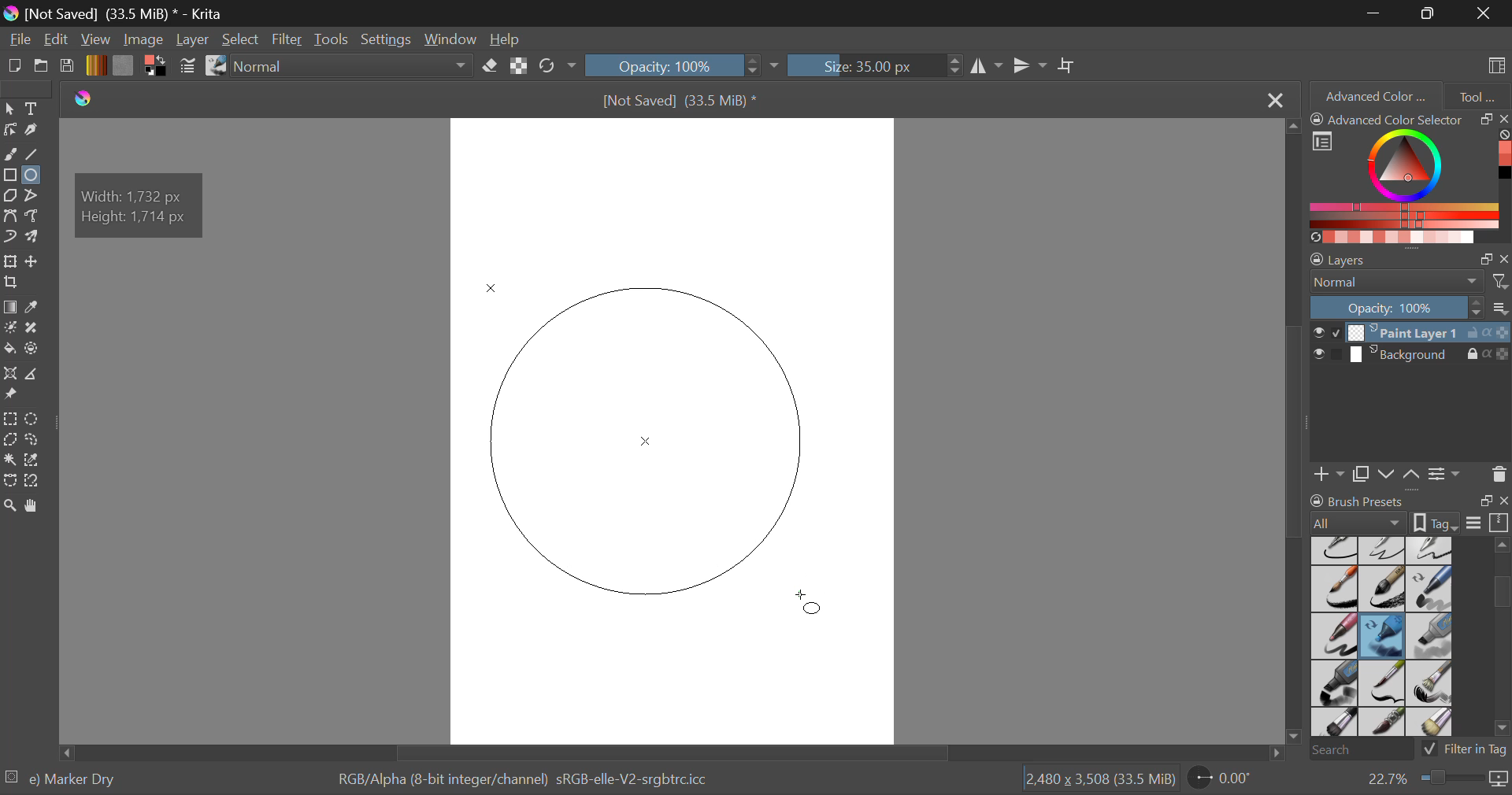  I want to click on Select, so click(9, 109).